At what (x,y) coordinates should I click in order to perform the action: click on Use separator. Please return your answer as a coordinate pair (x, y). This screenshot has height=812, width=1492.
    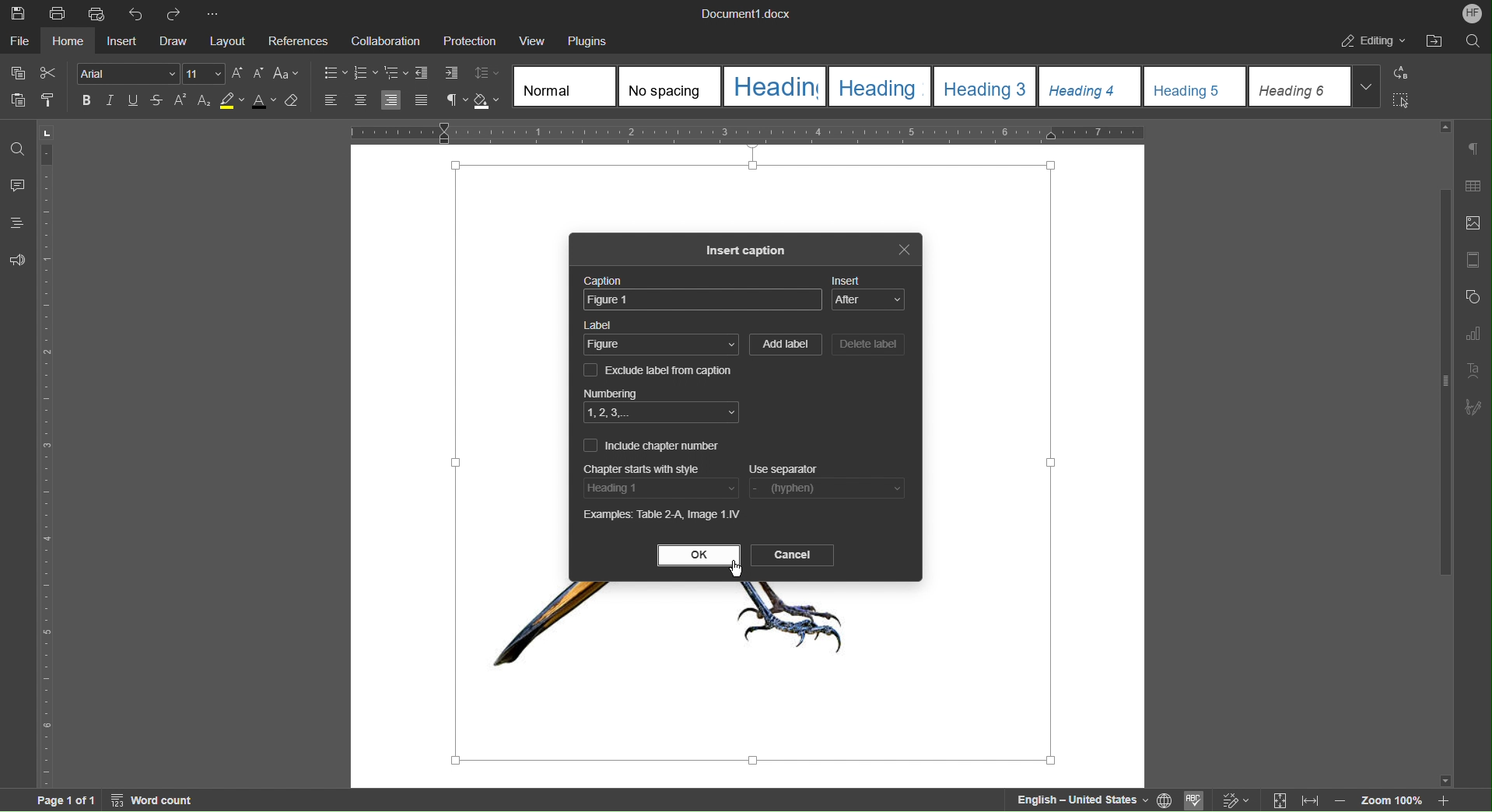
    Looking at the image, I should click on (783, 471).